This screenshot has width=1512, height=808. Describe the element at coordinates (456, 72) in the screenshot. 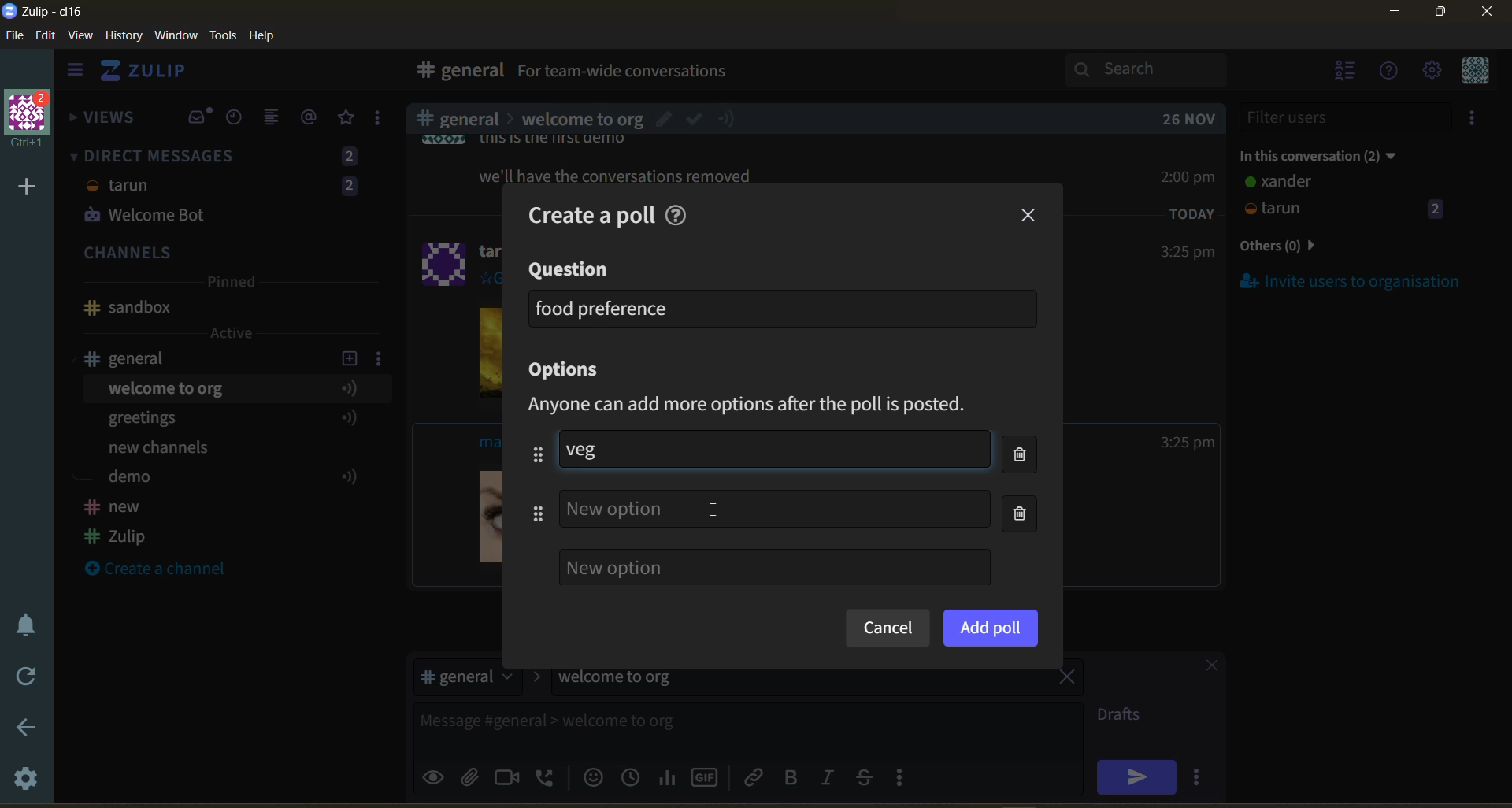

I see `inbox` at that location.